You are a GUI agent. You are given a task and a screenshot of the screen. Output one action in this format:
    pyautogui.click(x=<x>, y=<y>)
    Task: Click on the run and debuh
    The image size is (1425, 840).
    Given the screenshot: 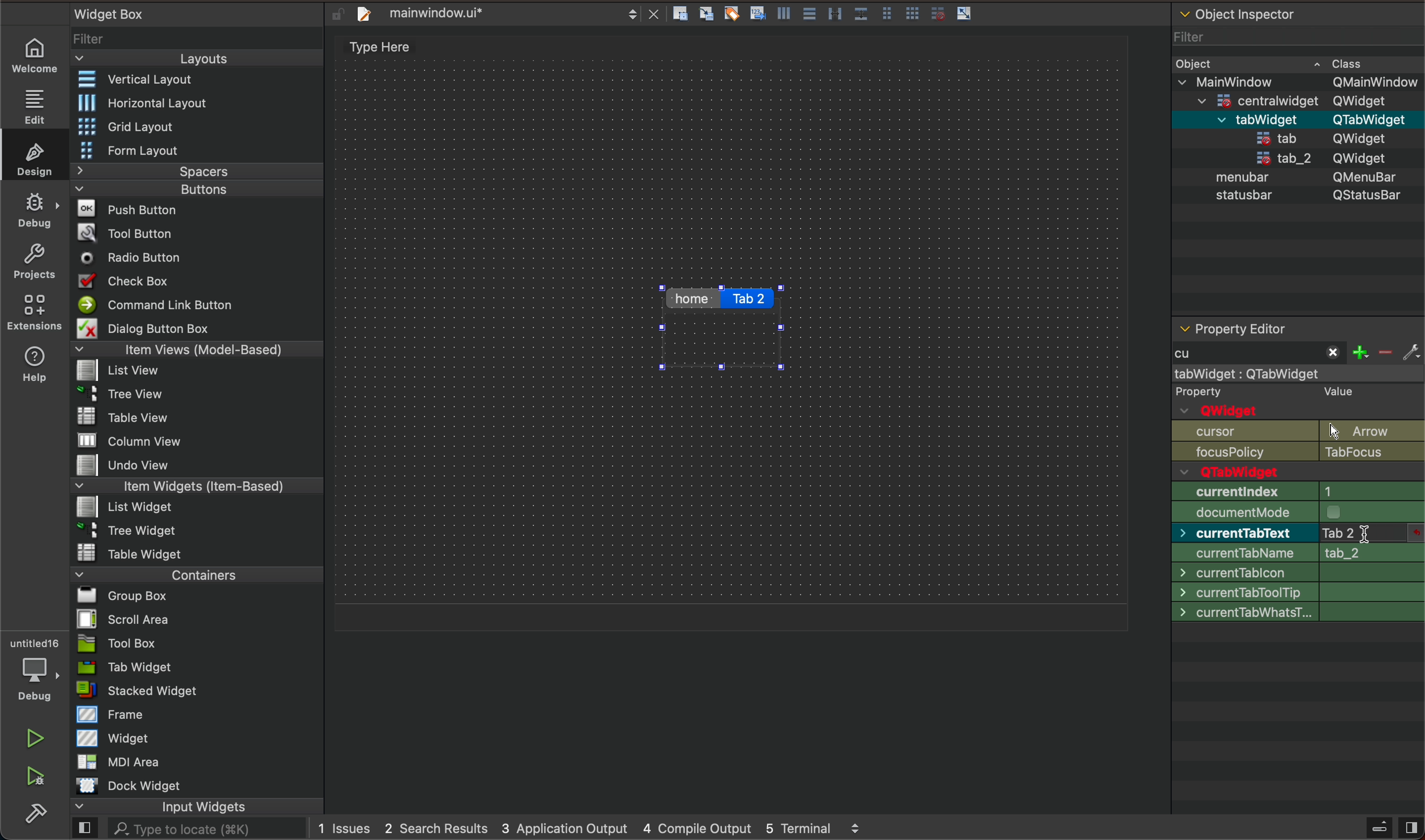 What is the action you would take?
    pyautogui.click(x=42, y=777)
    